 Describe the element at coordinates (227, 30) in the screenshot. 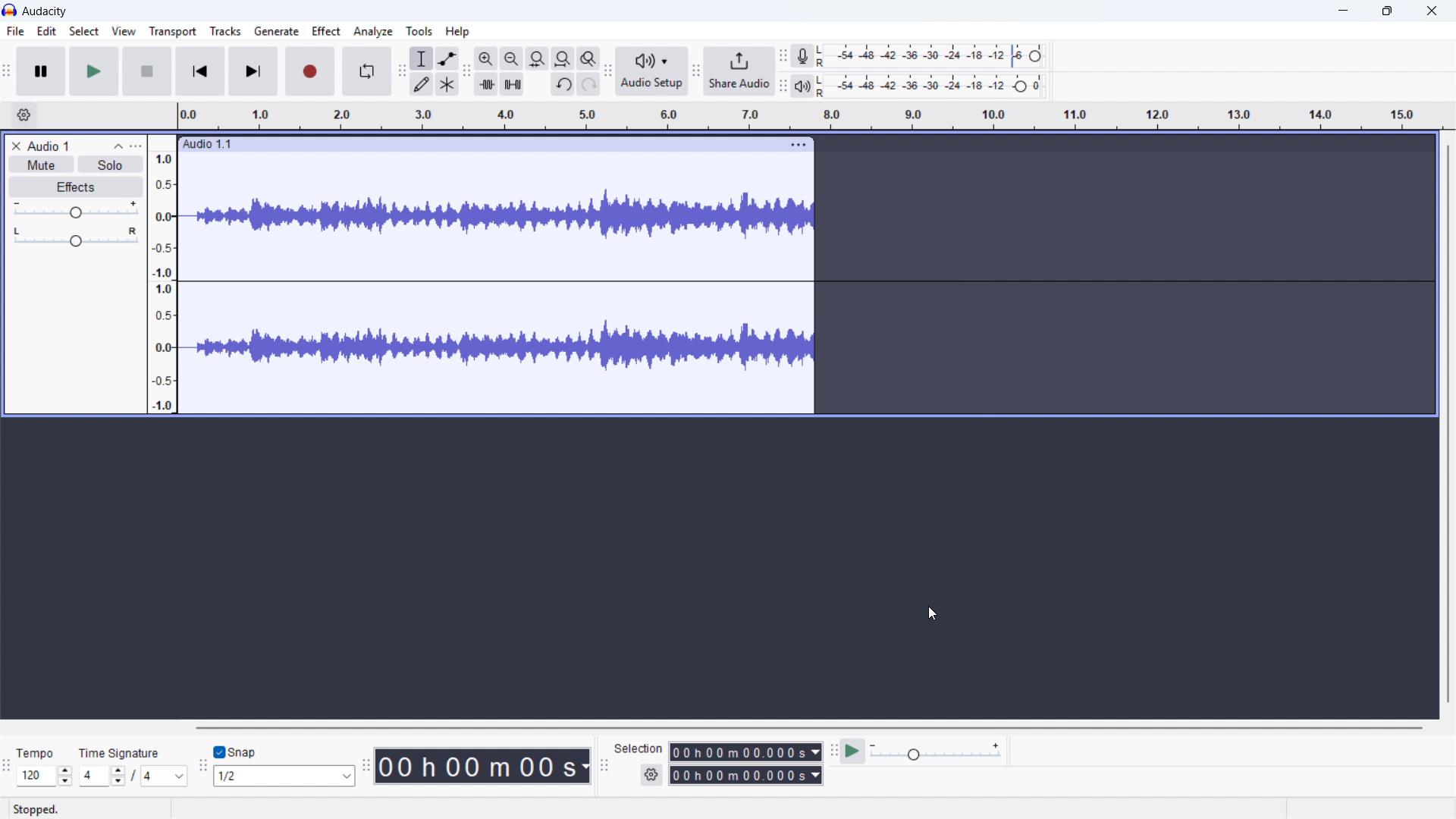

I see `Tracks ` at that location.